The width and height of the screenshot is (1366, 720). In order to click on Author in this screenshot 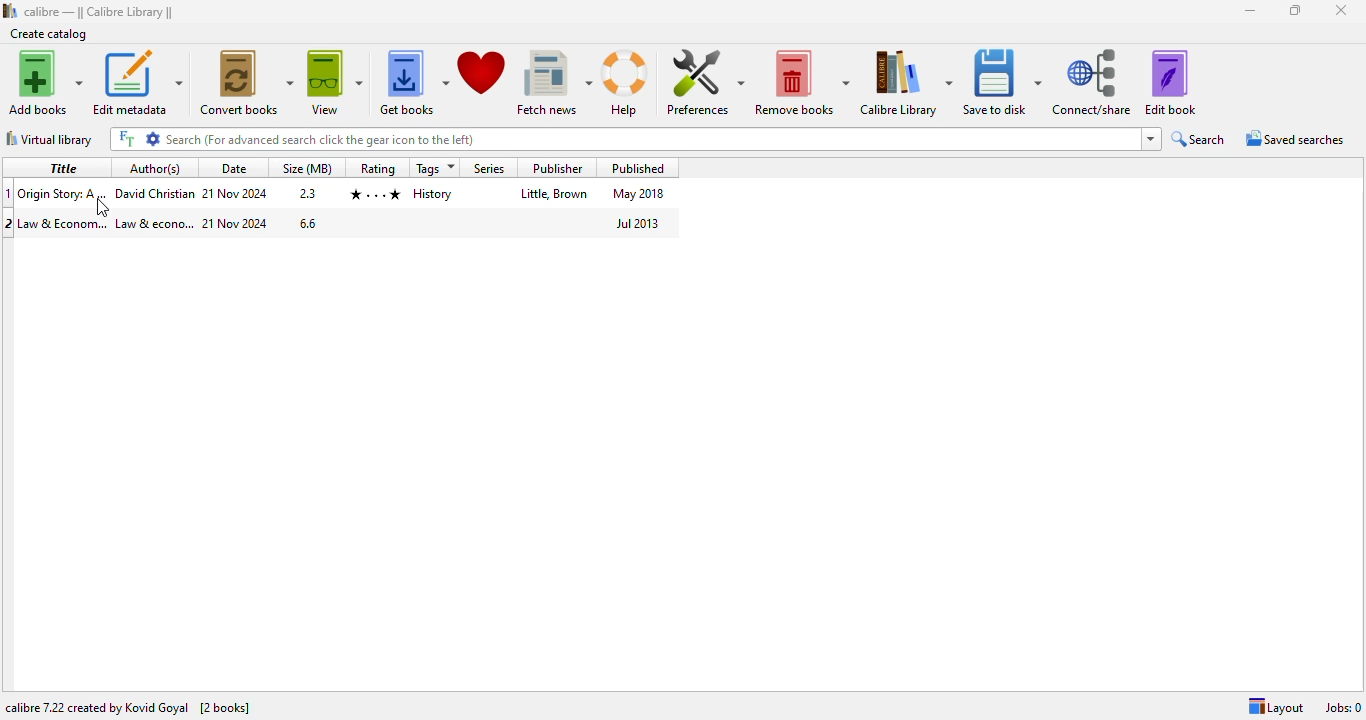, I will do `click(155, 192)`.